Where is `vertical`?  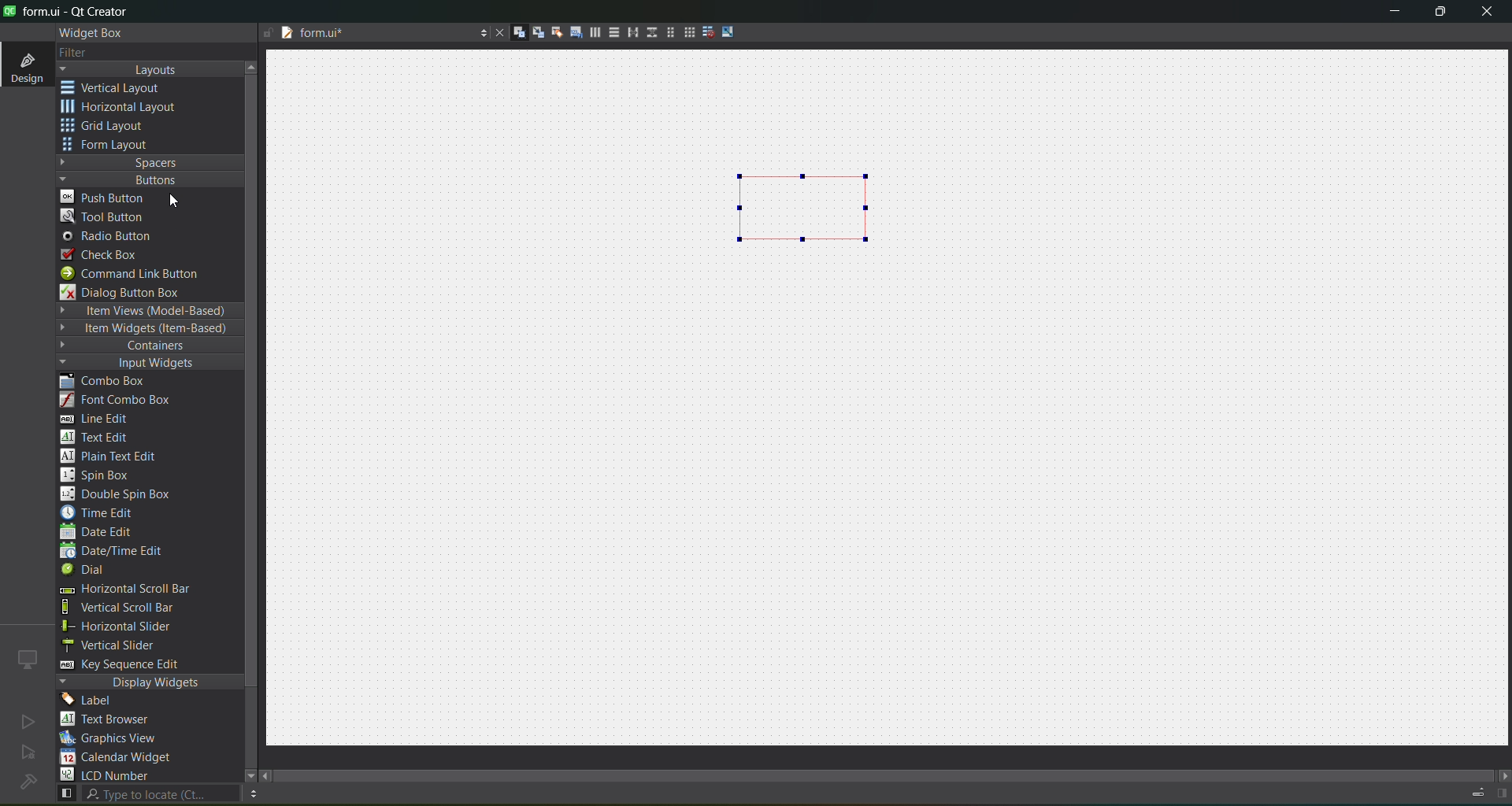 vertical is located at coordinates (122, 88).